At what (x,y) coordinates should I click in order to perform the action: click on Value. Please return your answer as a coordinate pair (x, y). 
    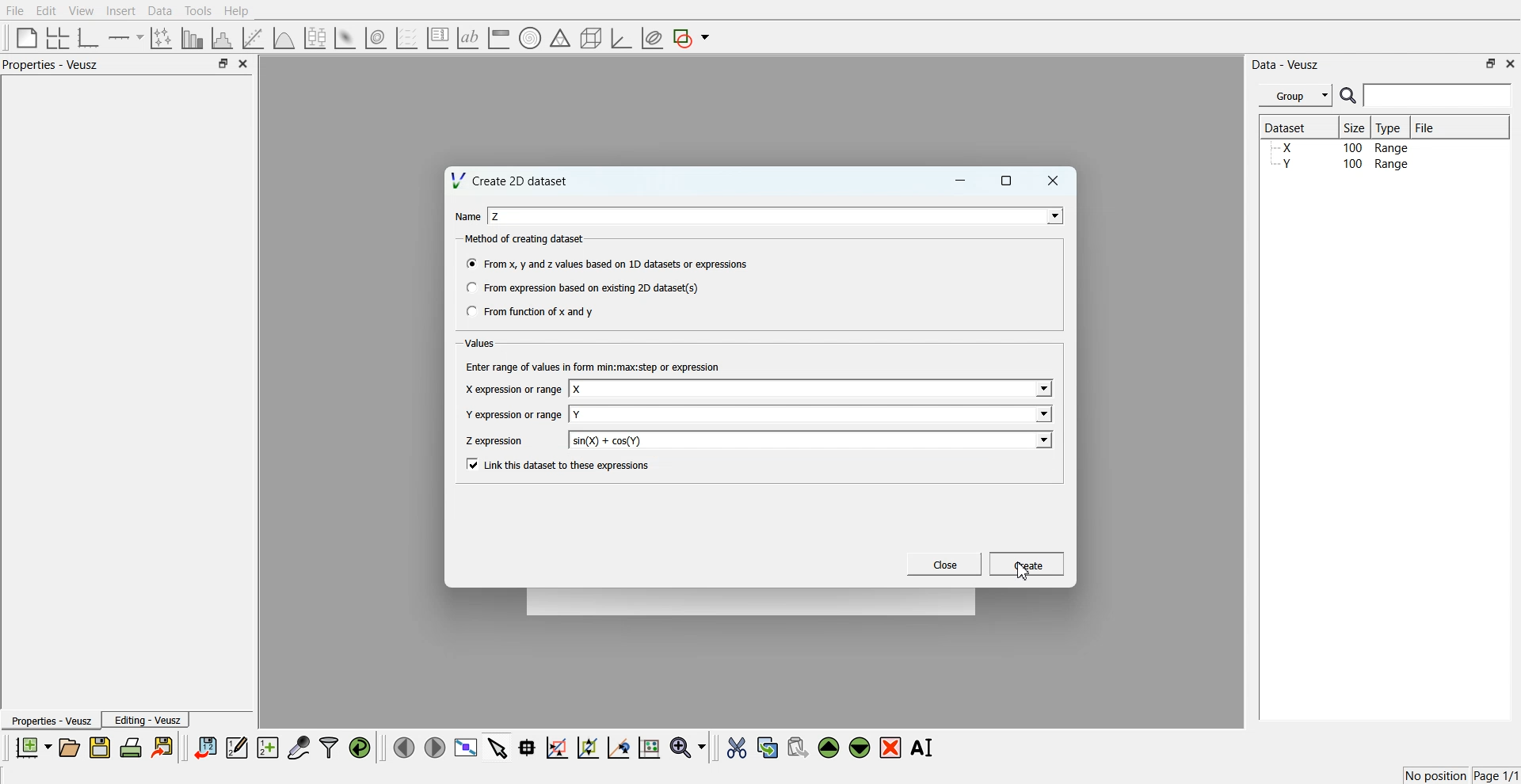
    Looking at the image, I should click on (482, 343).